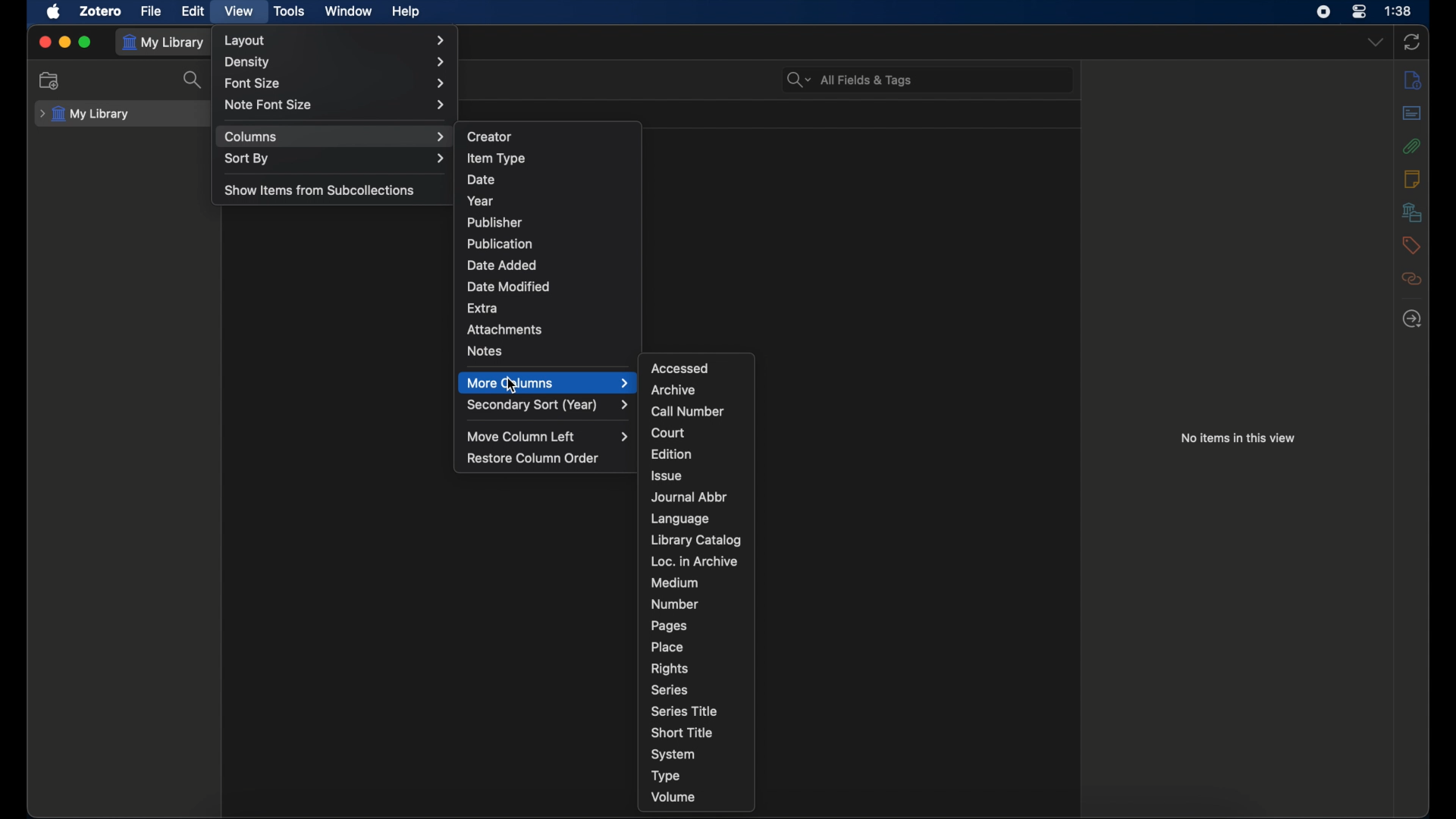 Image resolution: width=1456 pixels, height=819 pixels. Describe the element at coordinates (515, 389) in the screenshot. I see `Cursor` at that location.